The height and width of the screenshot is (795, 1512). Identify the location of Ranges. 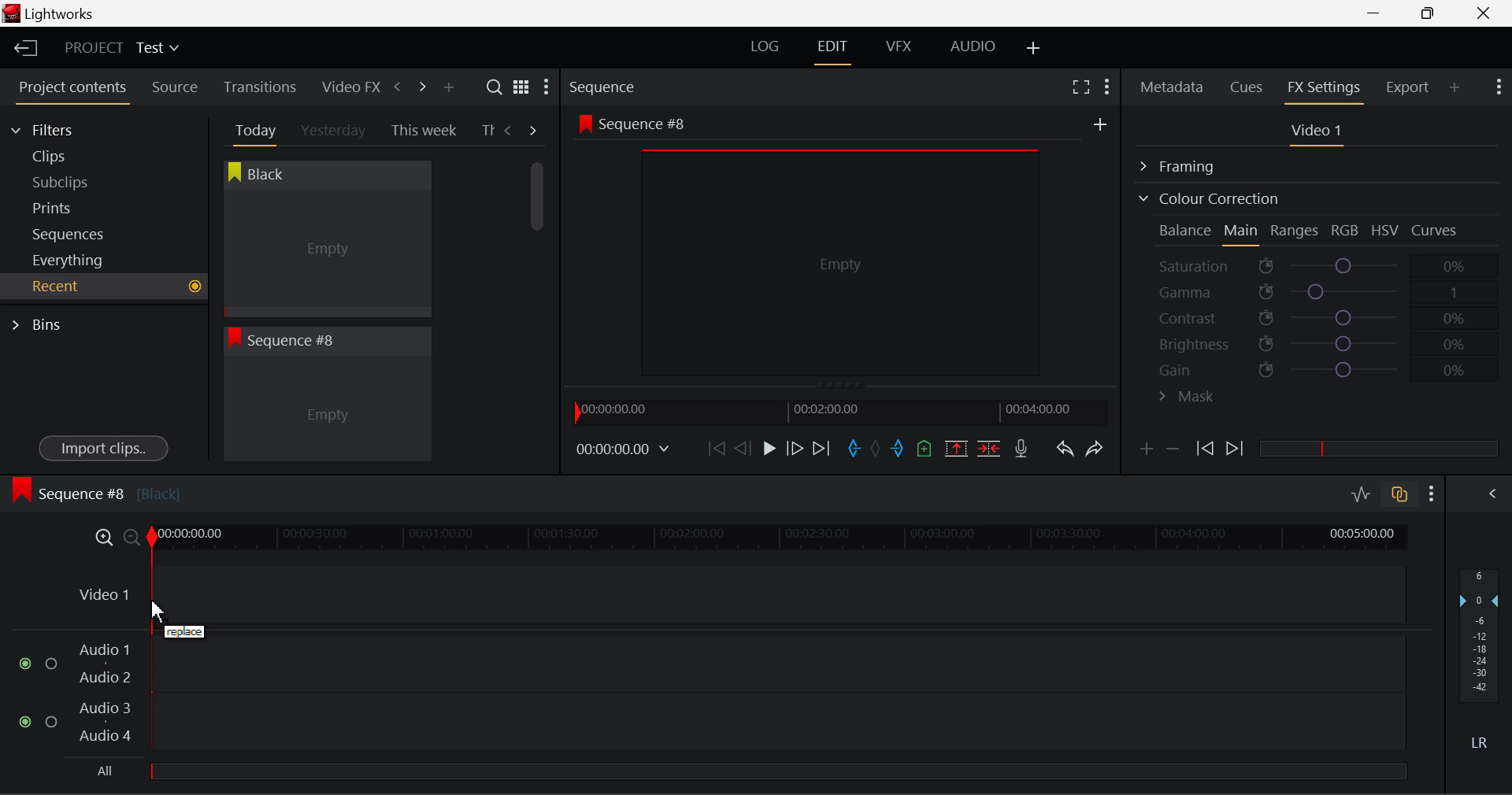
(1295, 232).